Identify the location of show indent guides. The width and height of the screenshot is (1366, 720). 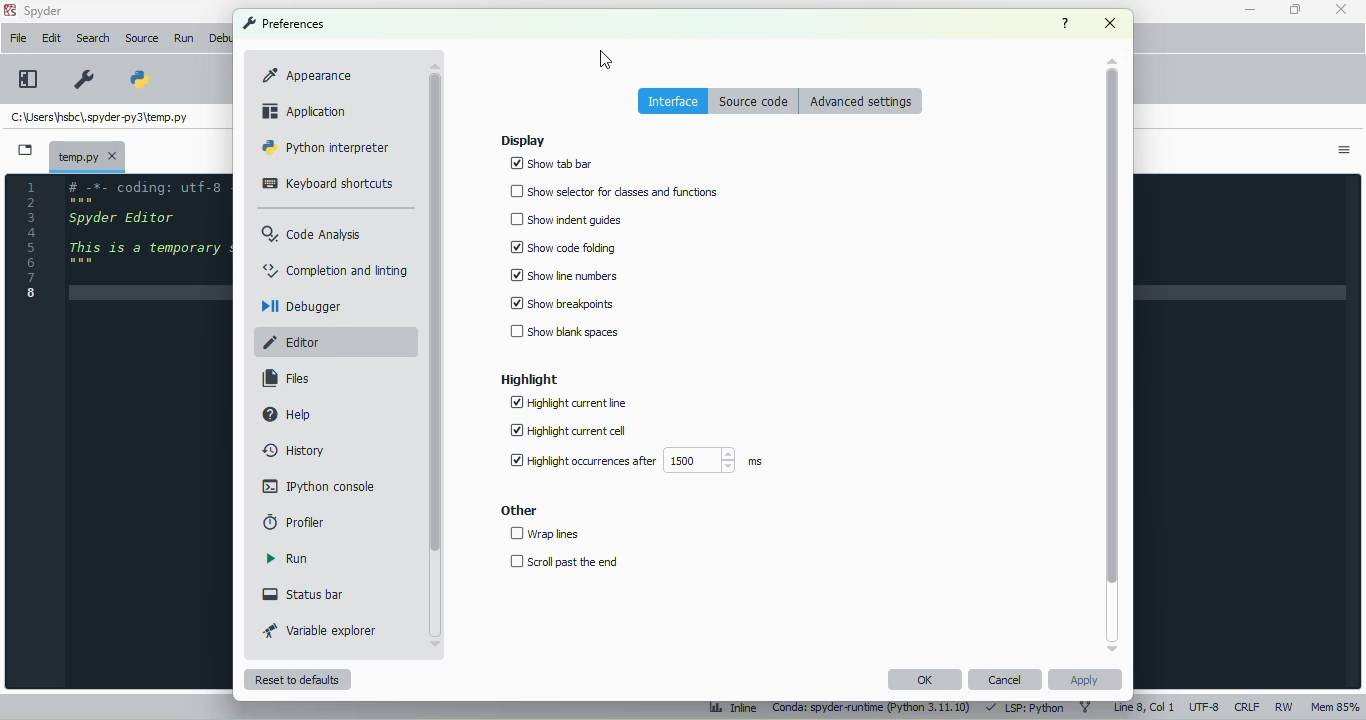
(568, 219).